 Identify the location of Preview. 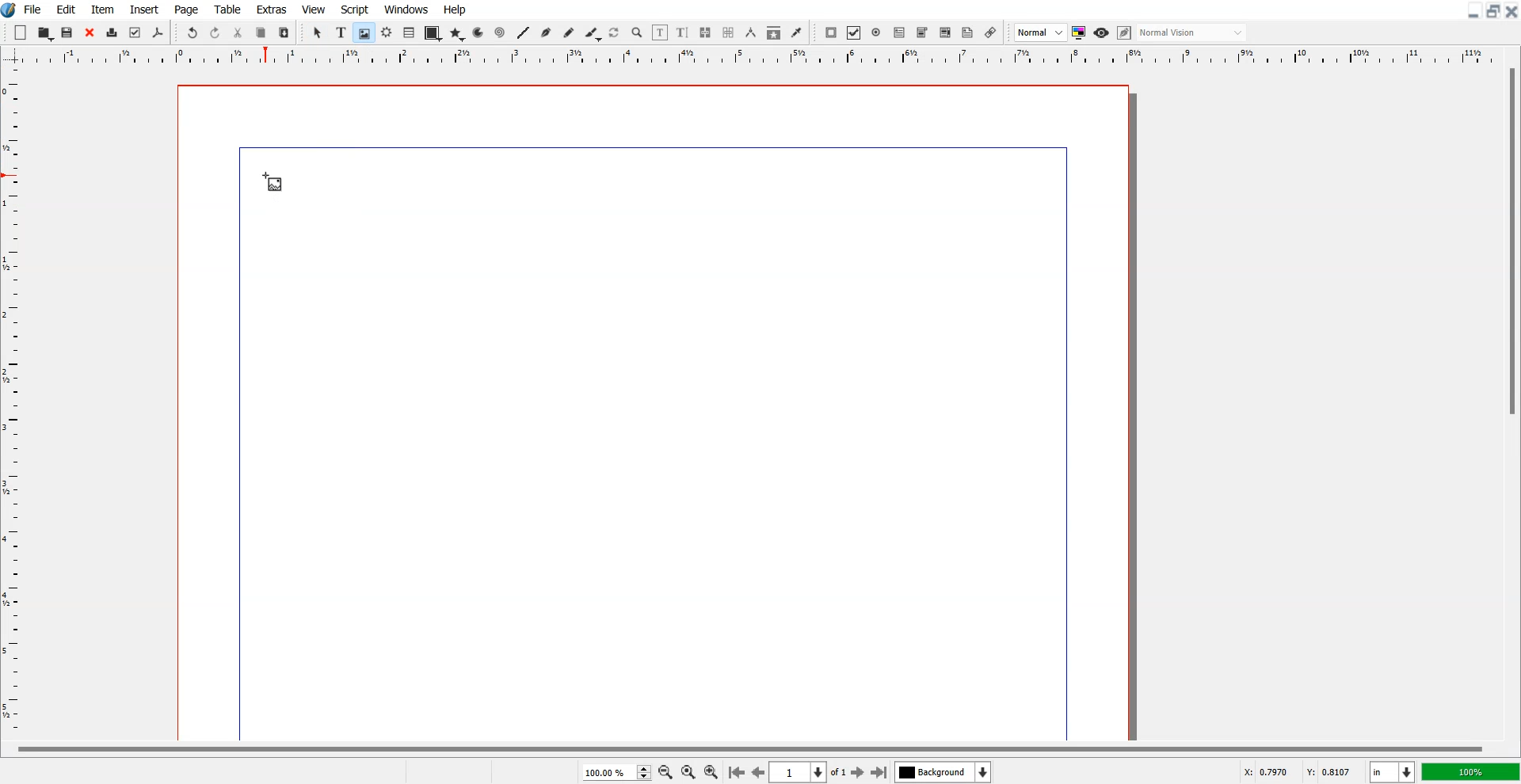
(1101, 32).